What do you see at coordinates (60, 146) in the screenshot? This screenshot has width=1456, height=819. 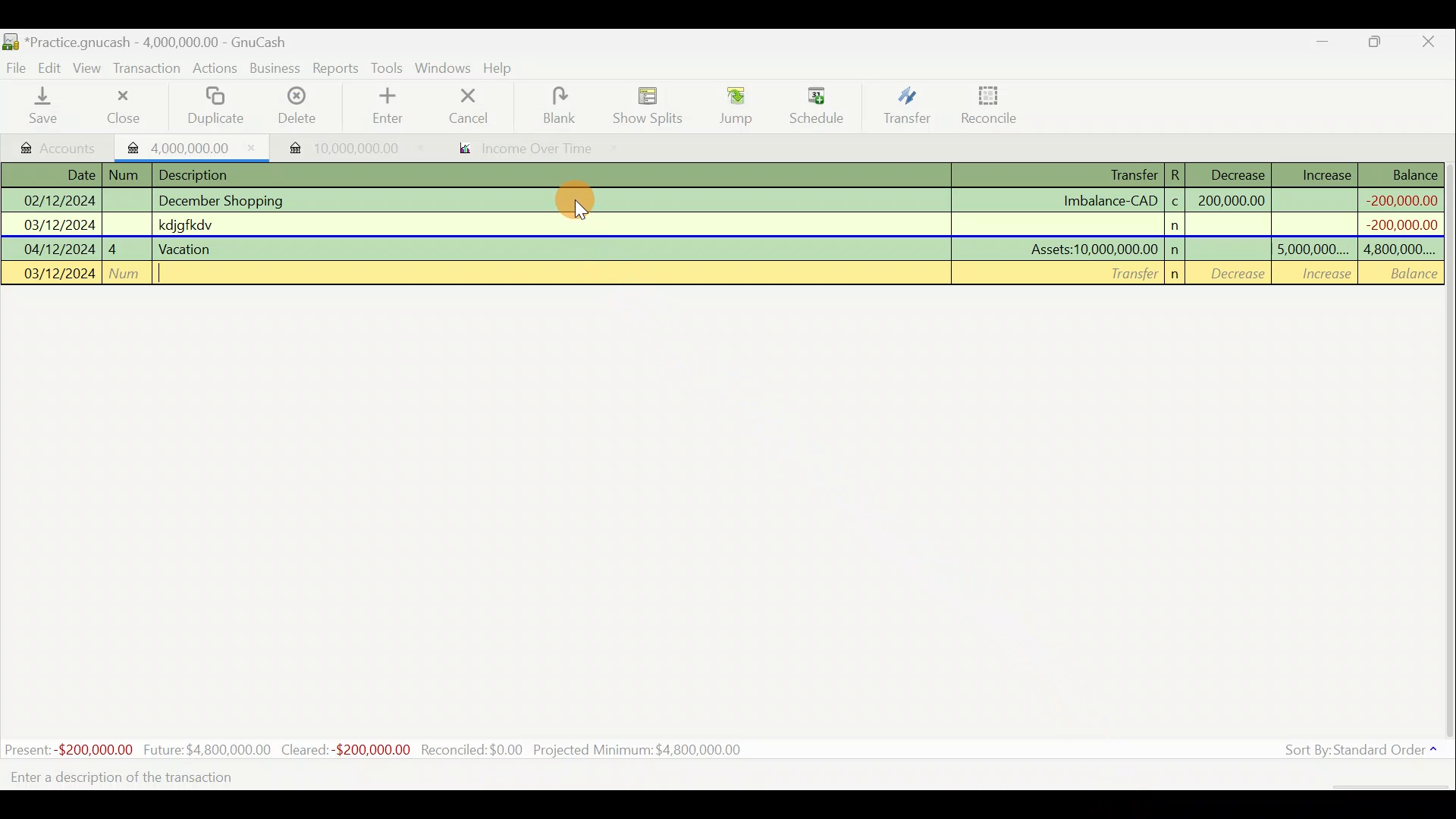 I see `Accounts` at bounding box center [60, 146].